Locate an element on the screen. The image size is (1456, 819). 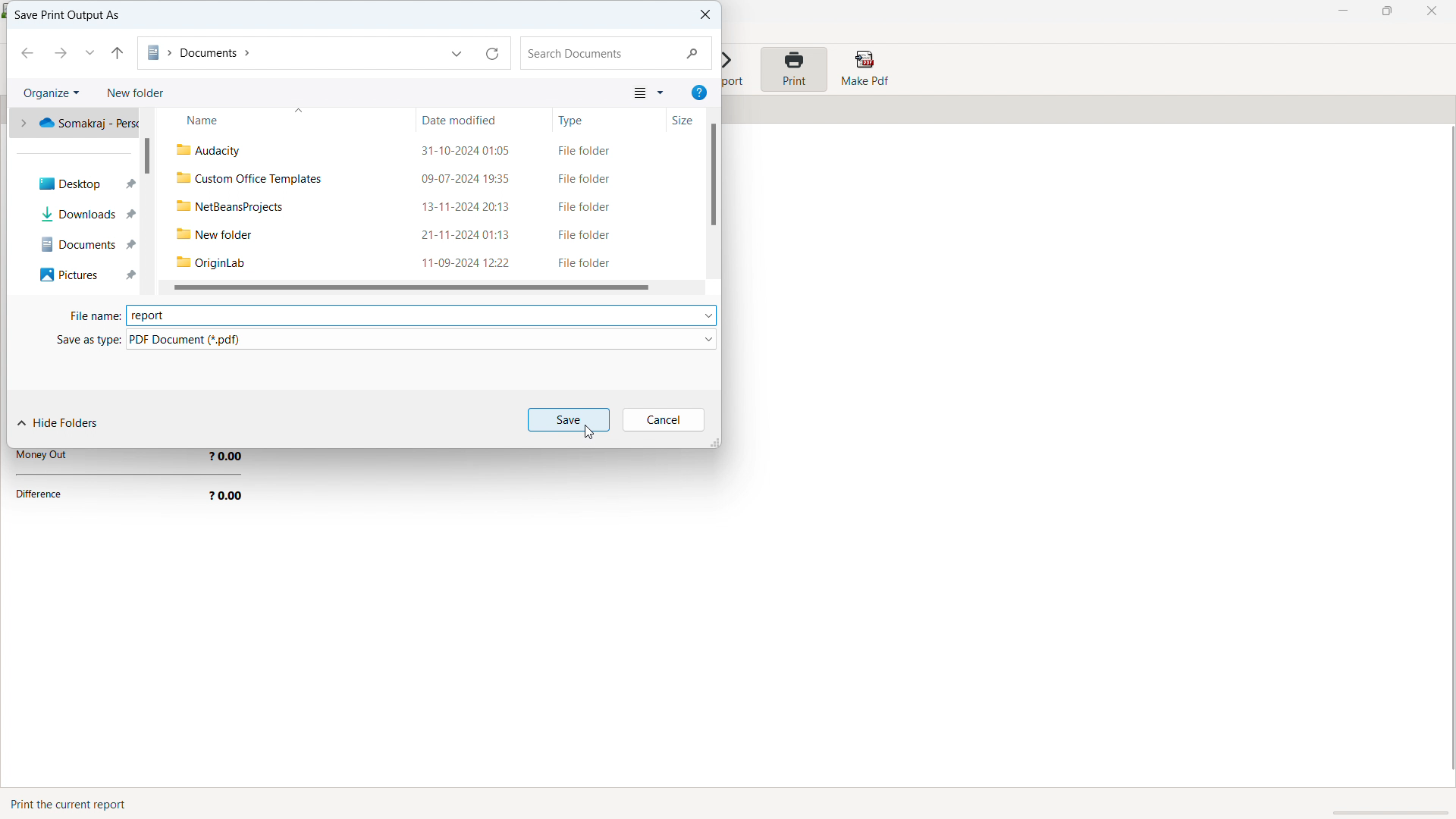
Save as type: is located at coordinates (74, 340).